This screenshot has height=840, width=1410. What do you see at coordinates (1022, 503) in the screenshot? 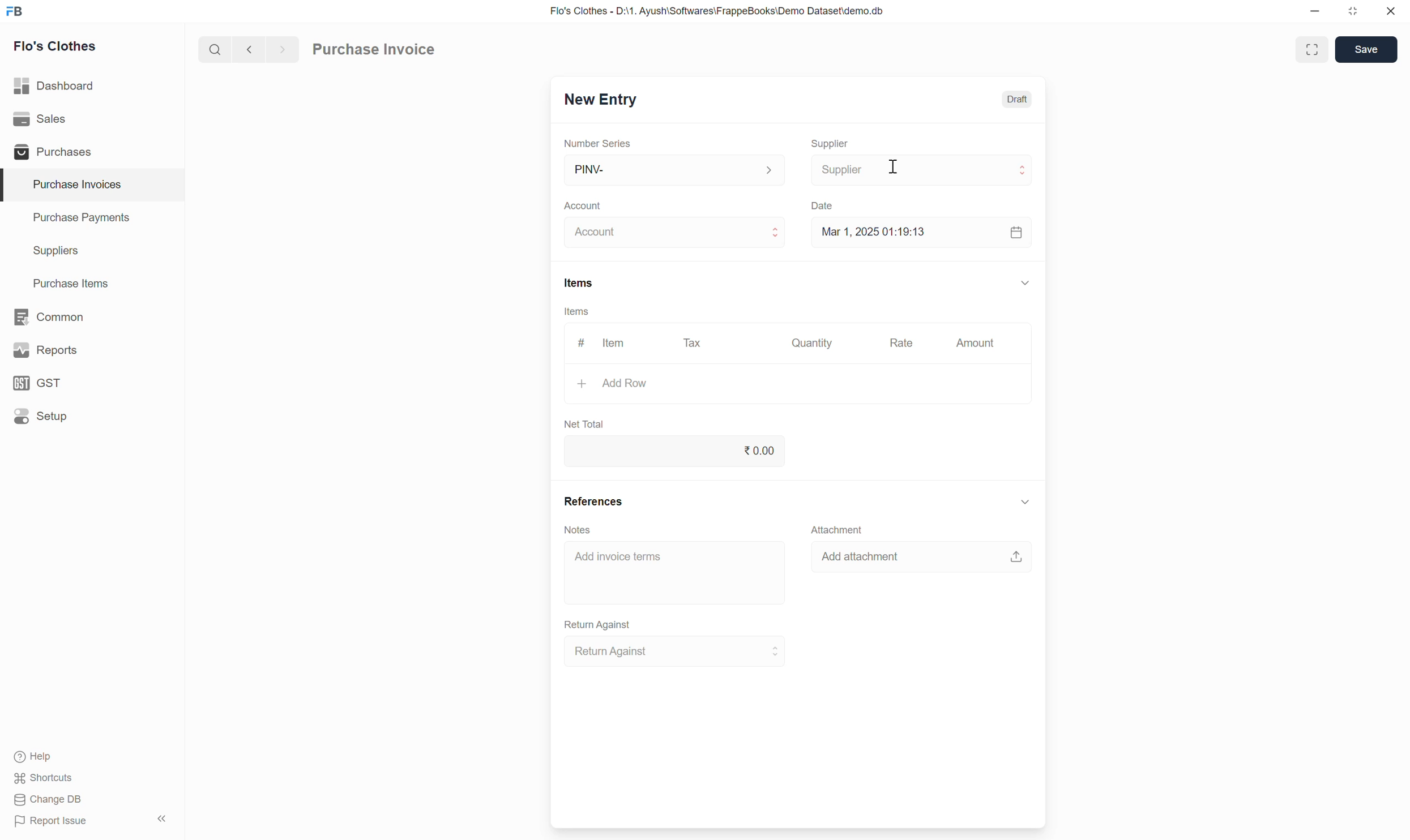
I see `expand` at bounding box center [1022, 503].